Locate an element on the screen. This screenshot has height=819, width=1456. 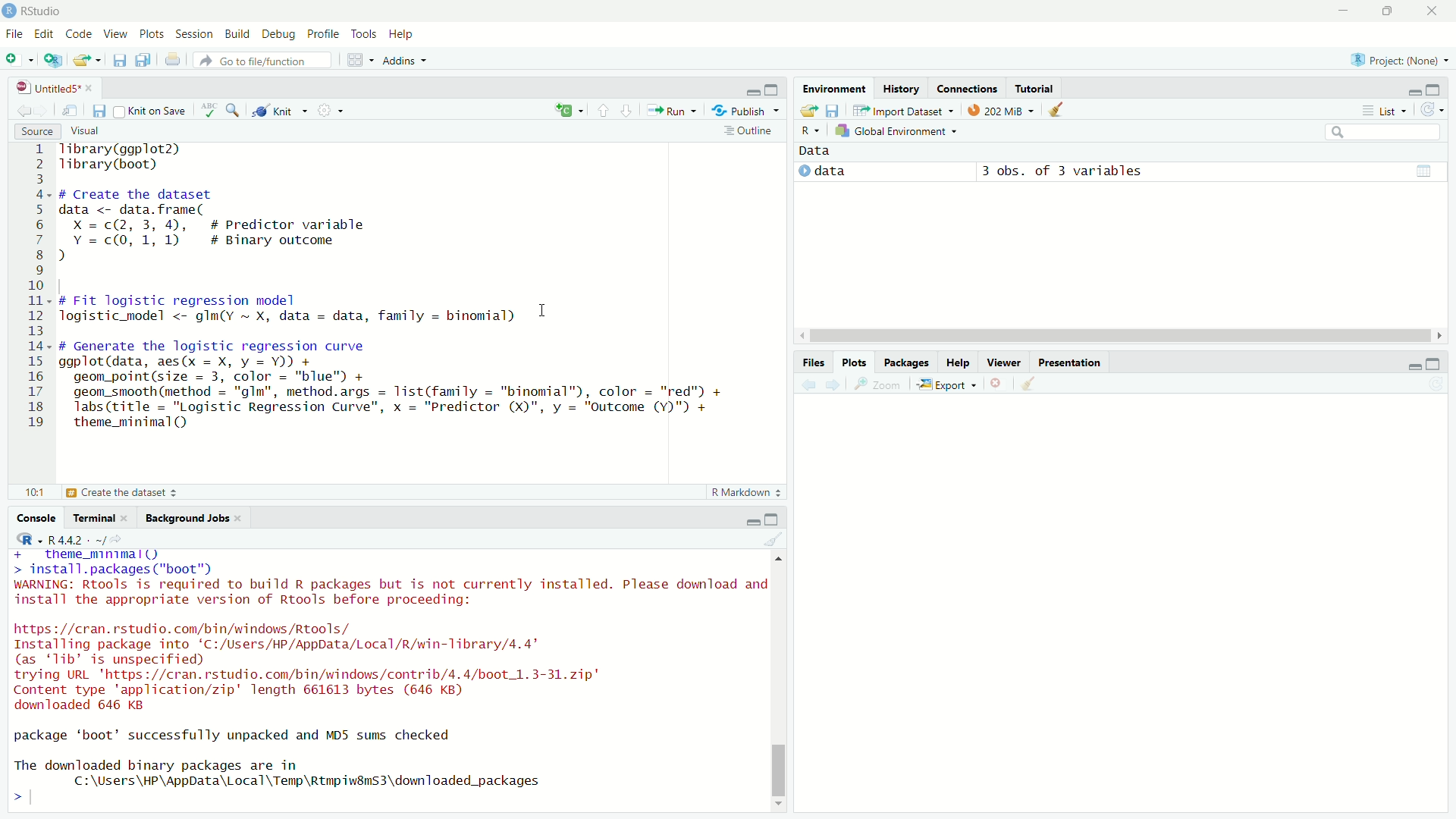
Go to previous section/chunk is located at coordinates (602, 110).